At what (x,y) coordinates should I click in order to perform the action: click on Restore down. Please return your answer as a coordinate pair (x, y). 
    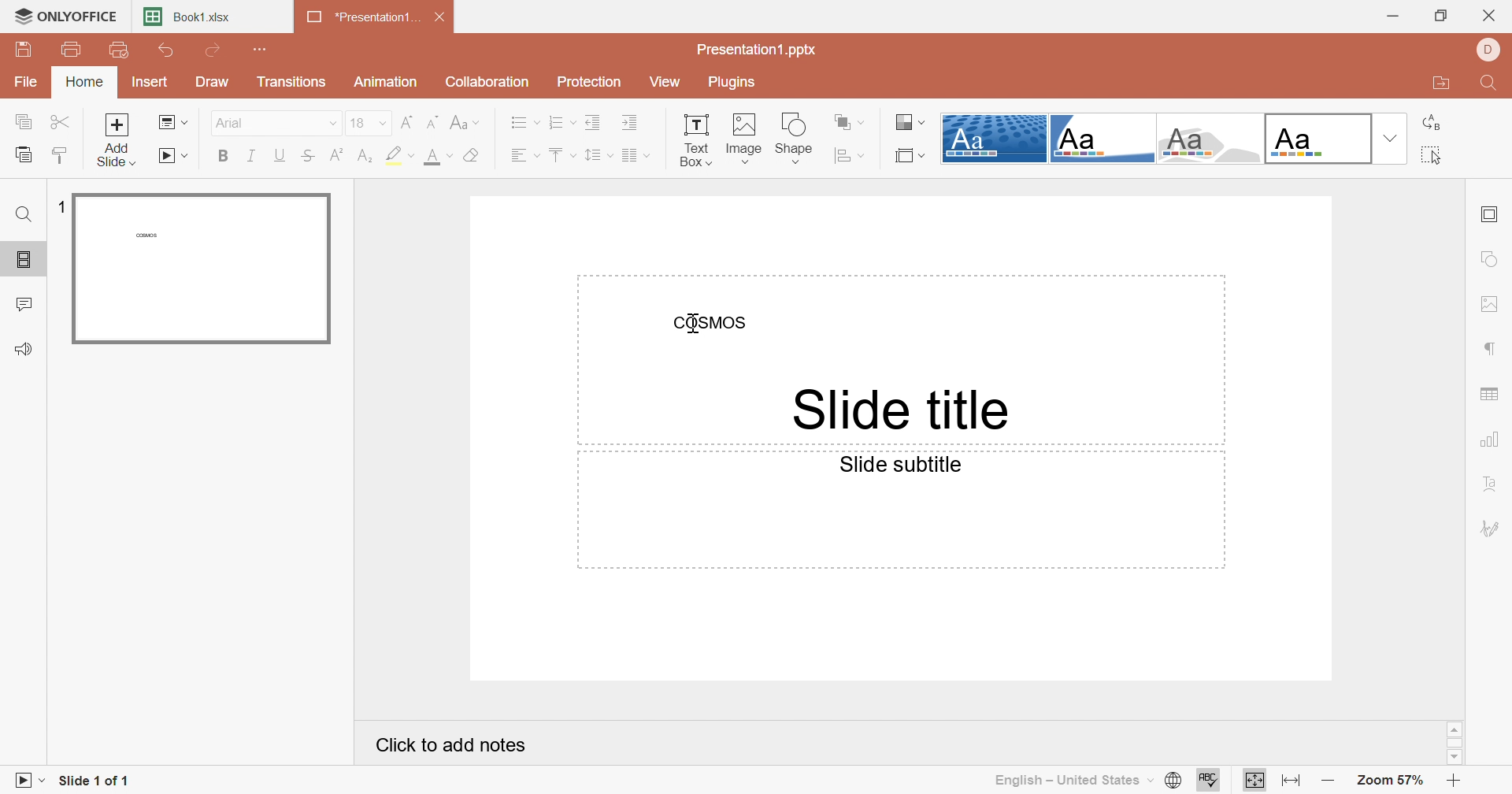
    Looking at the image, I should click on (1446, 15).